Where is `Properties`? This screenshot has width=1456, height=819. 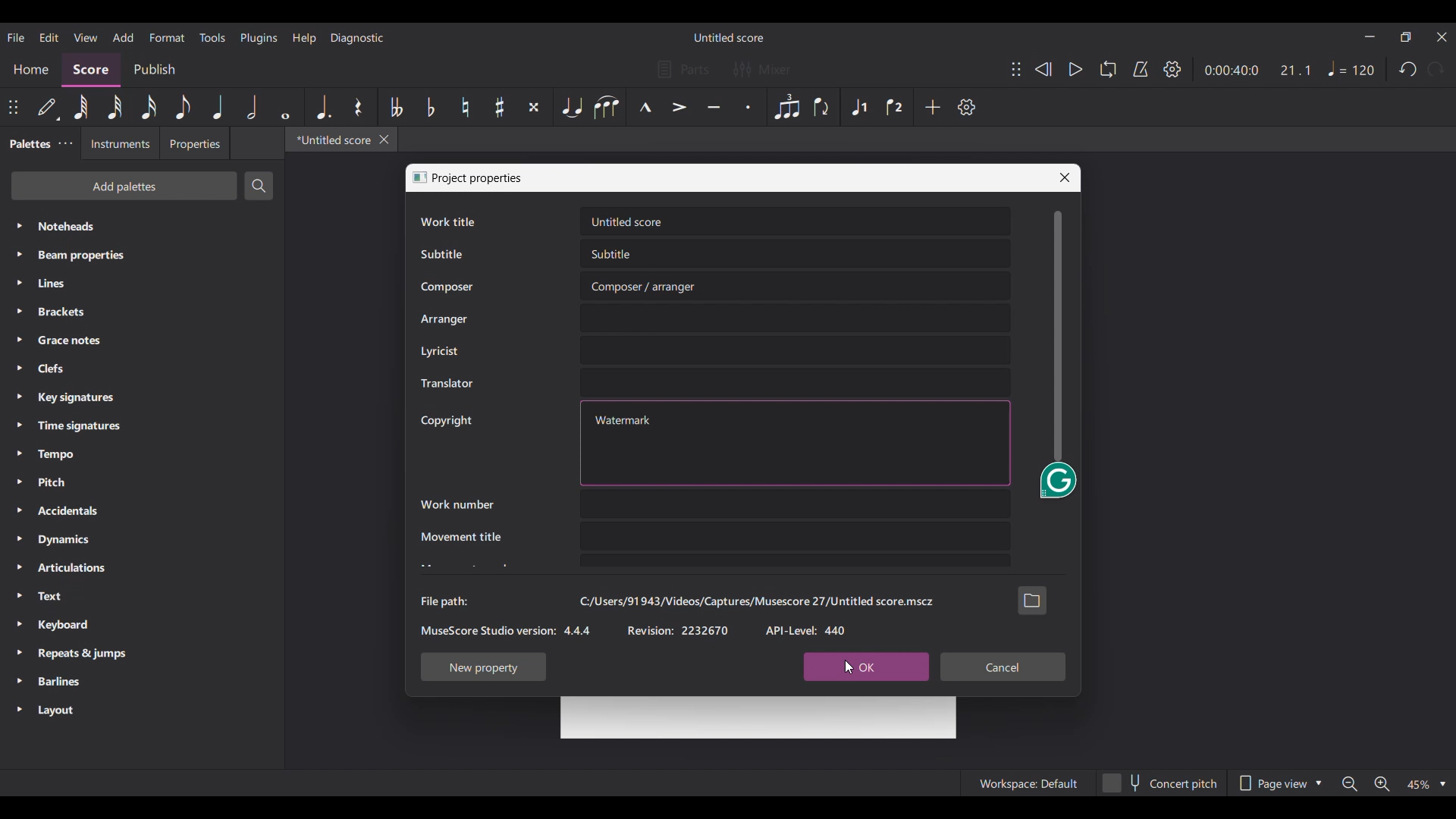 Properties is located at coordinates (194, 143).